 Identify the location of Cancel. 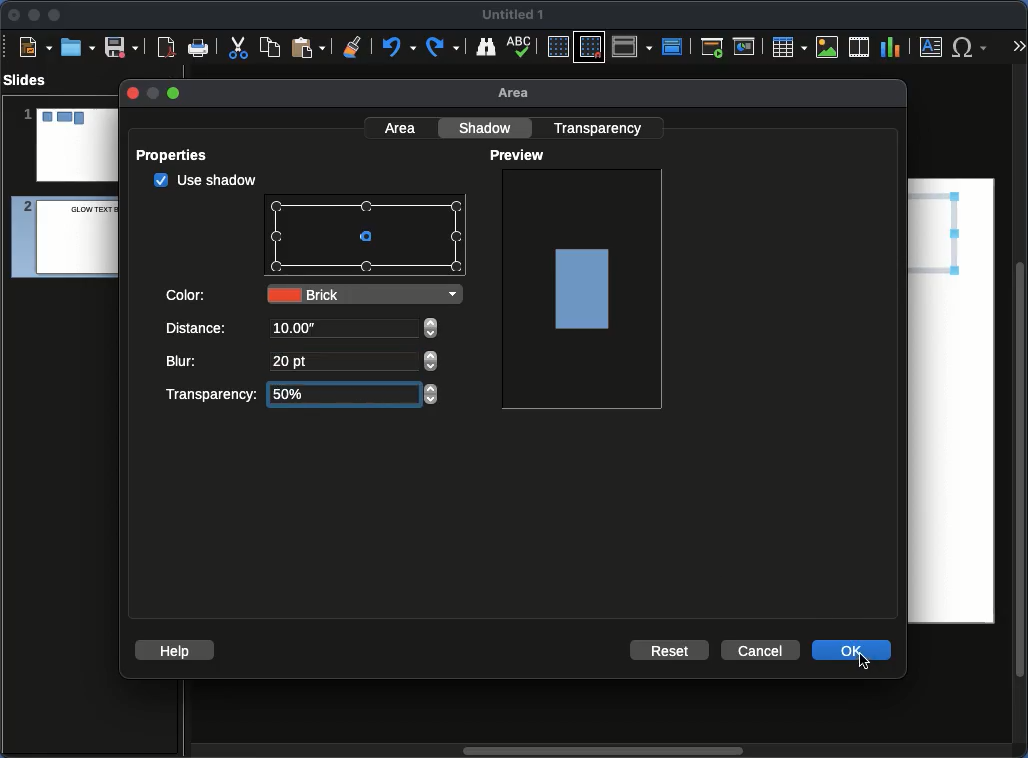
(759, 651).